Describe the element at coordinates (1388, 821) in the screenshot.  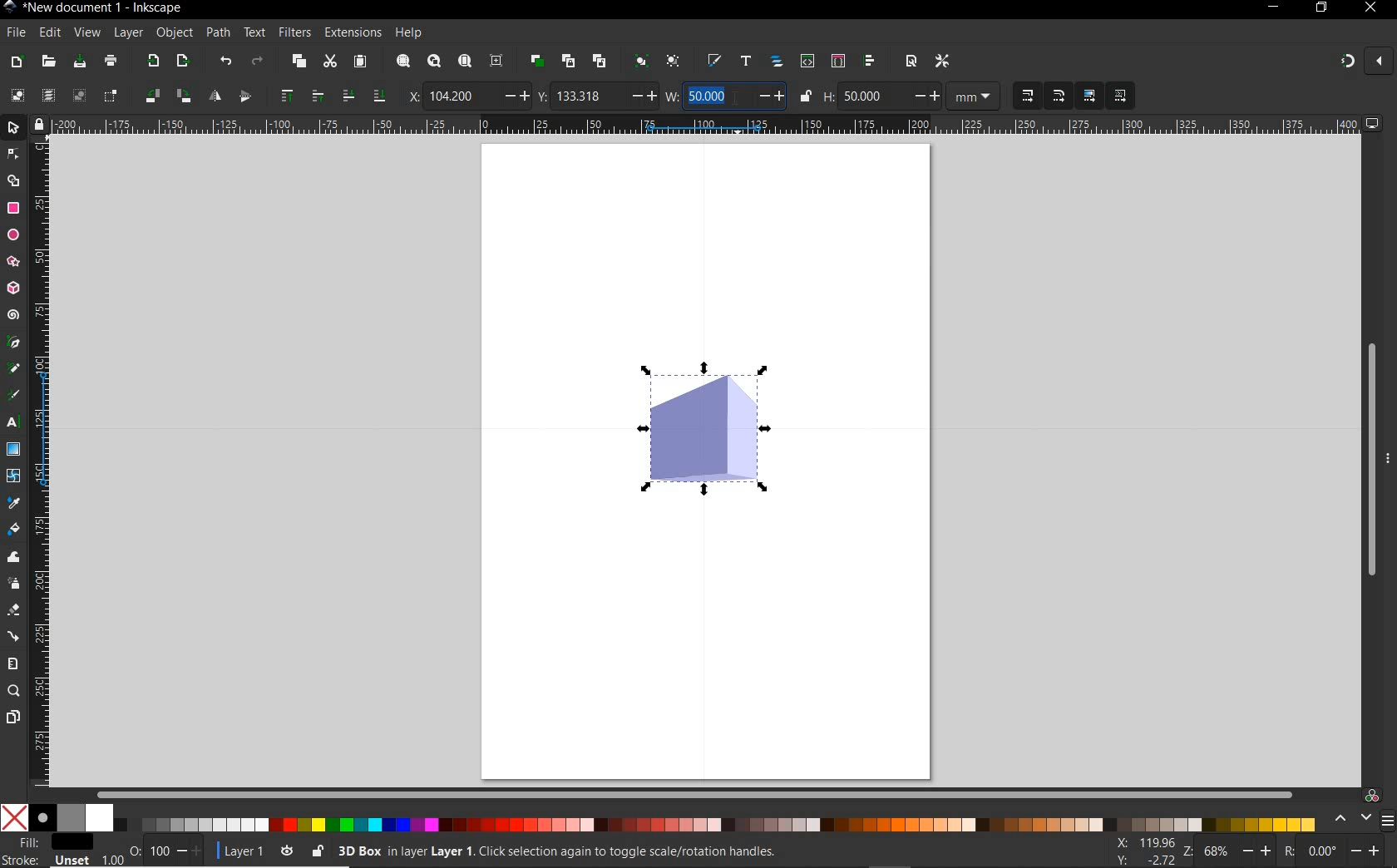
I see `menu` at that location.